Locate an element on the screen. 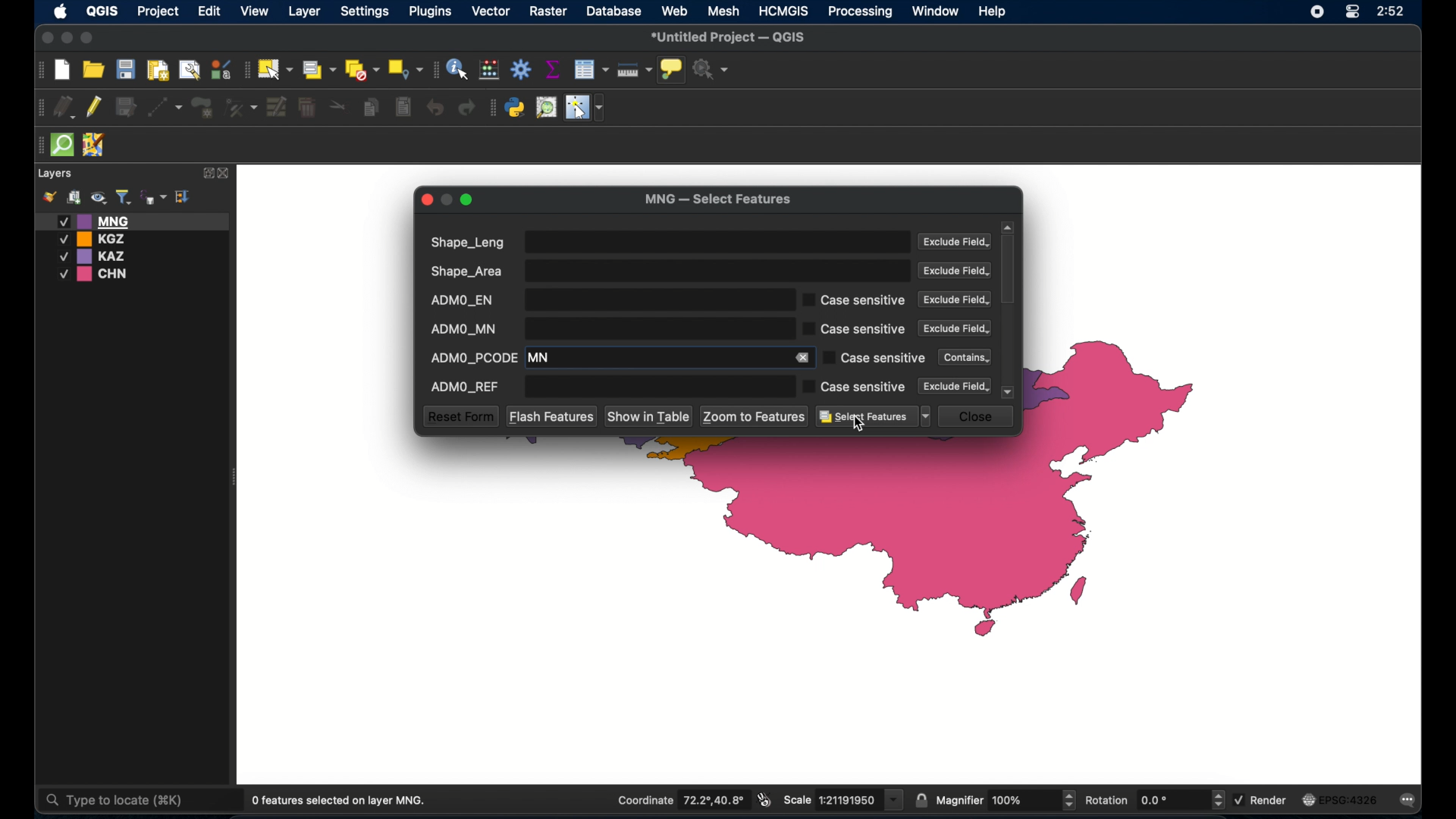 This screenshot has width=1456, height=819. toolbox is located at coordinates (521, 69).